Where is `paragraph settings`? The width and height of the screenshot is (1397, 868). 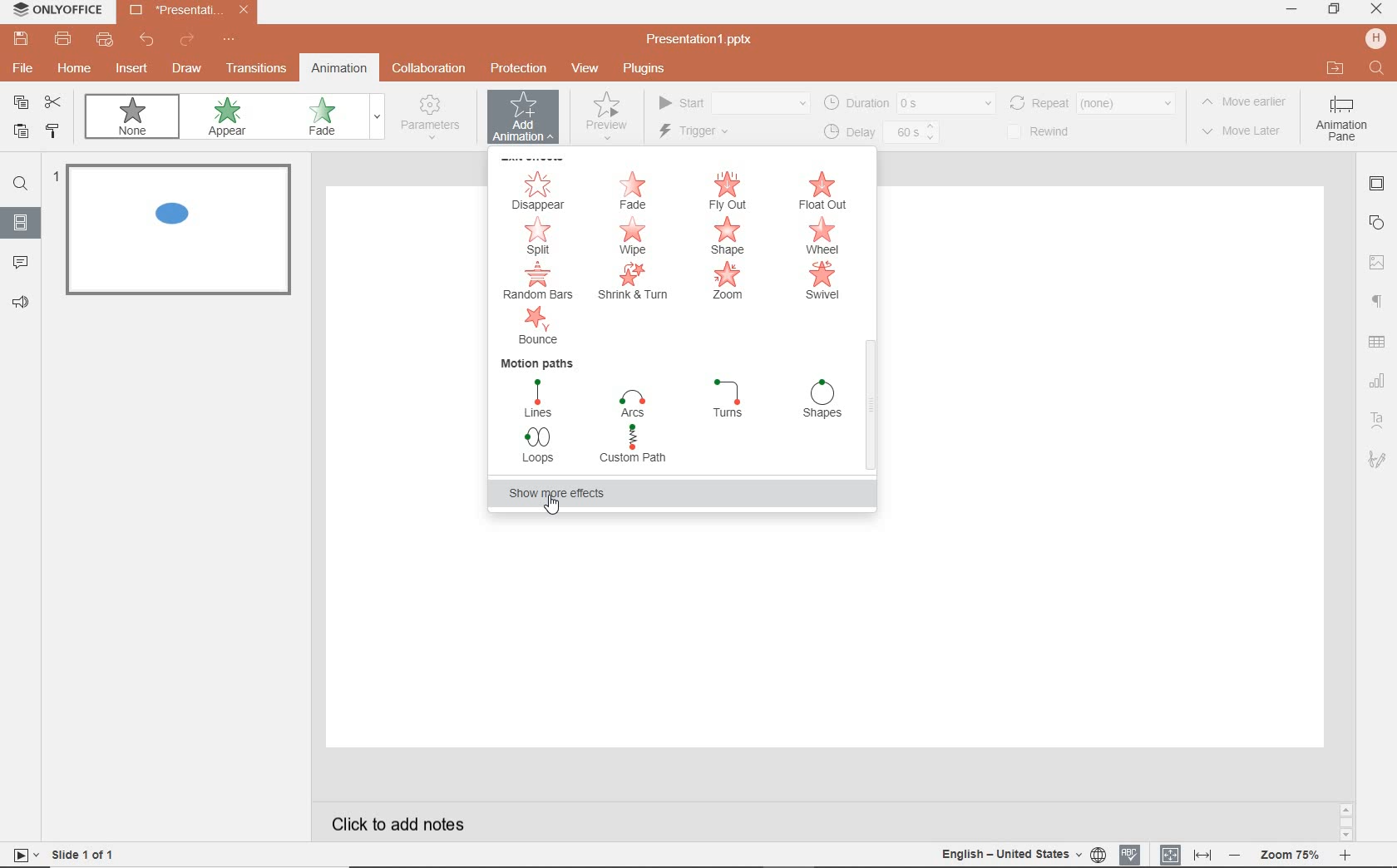 paragraph settings is located at coordinates (1379, 298).